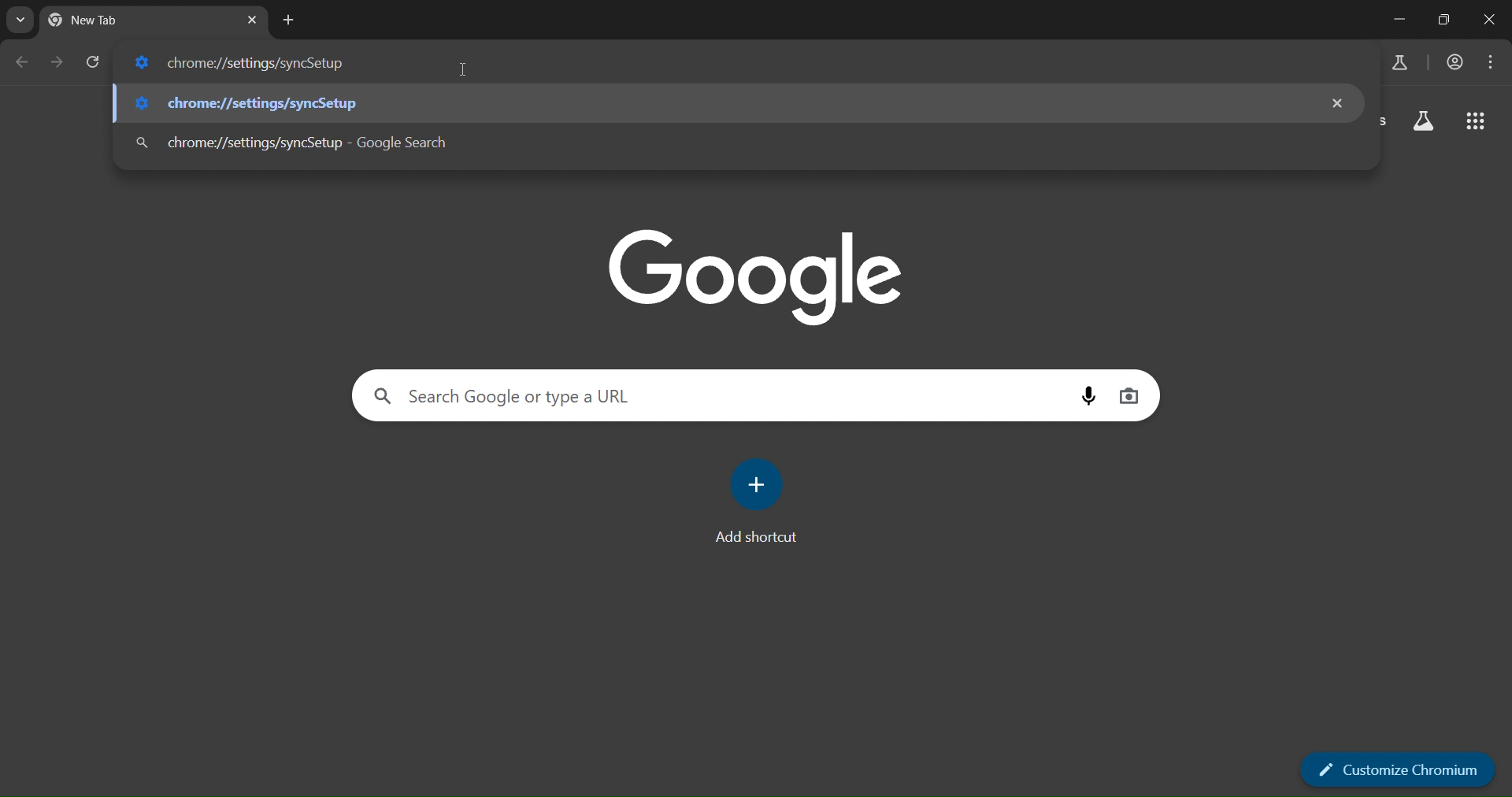  What do you see at coordinates (1425, 120) in the screenshot?
I see `search labs` at bounding box center [1425, 120].